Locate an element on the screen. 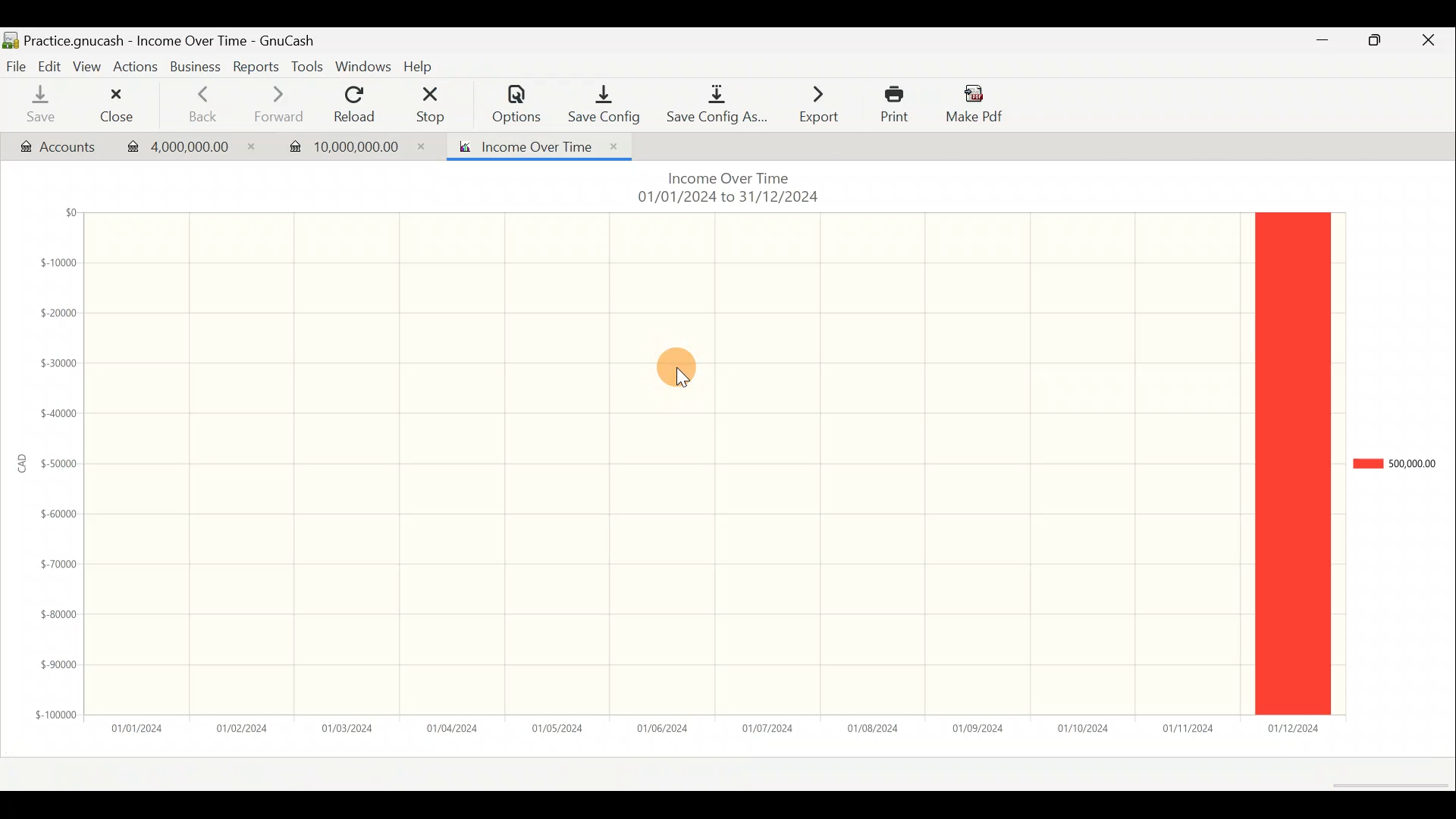 Image resolution: width=1456 pixels, height=819 pixels. Edit is located at coordinates (51, 67).